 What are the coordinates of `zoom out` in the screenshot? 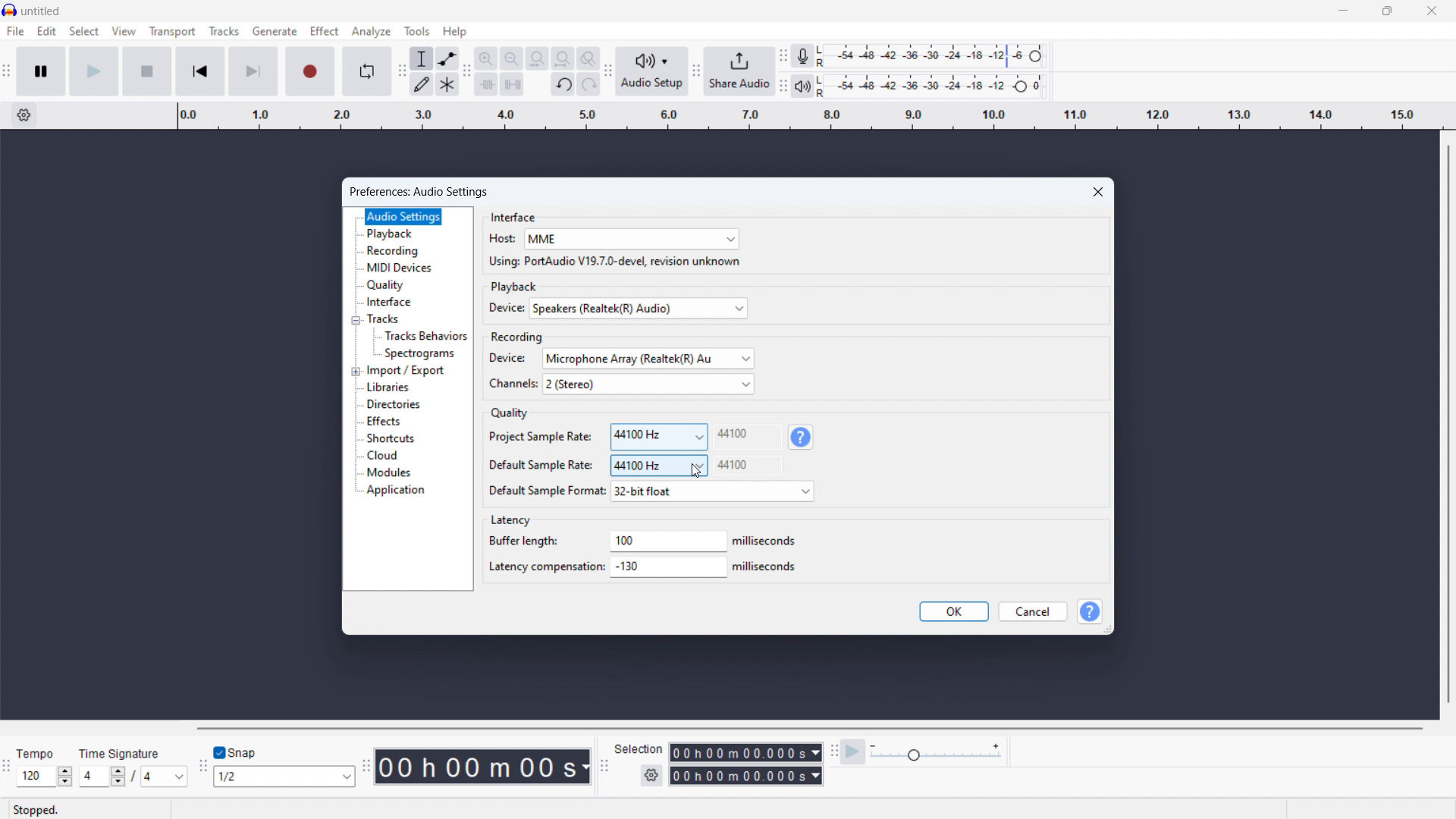 It's located at (512, 59).